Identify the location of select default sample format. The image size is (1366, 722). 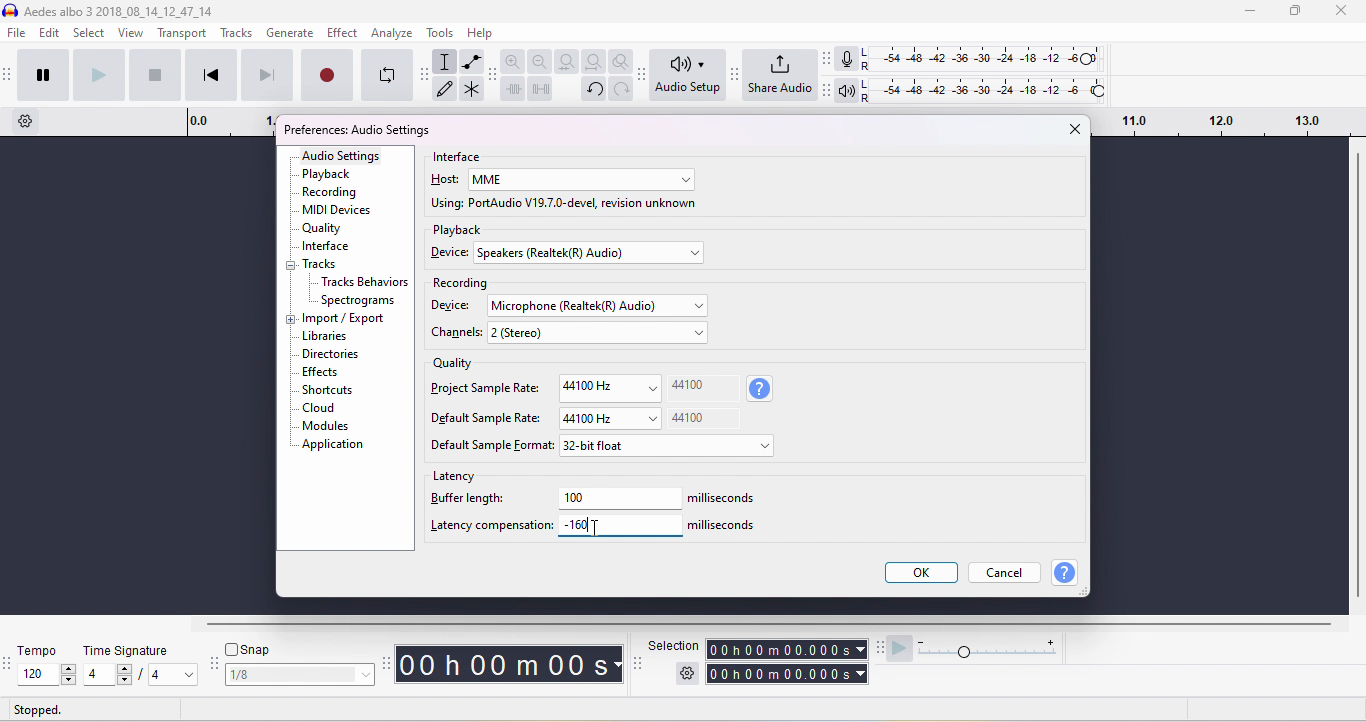
(669, 449).